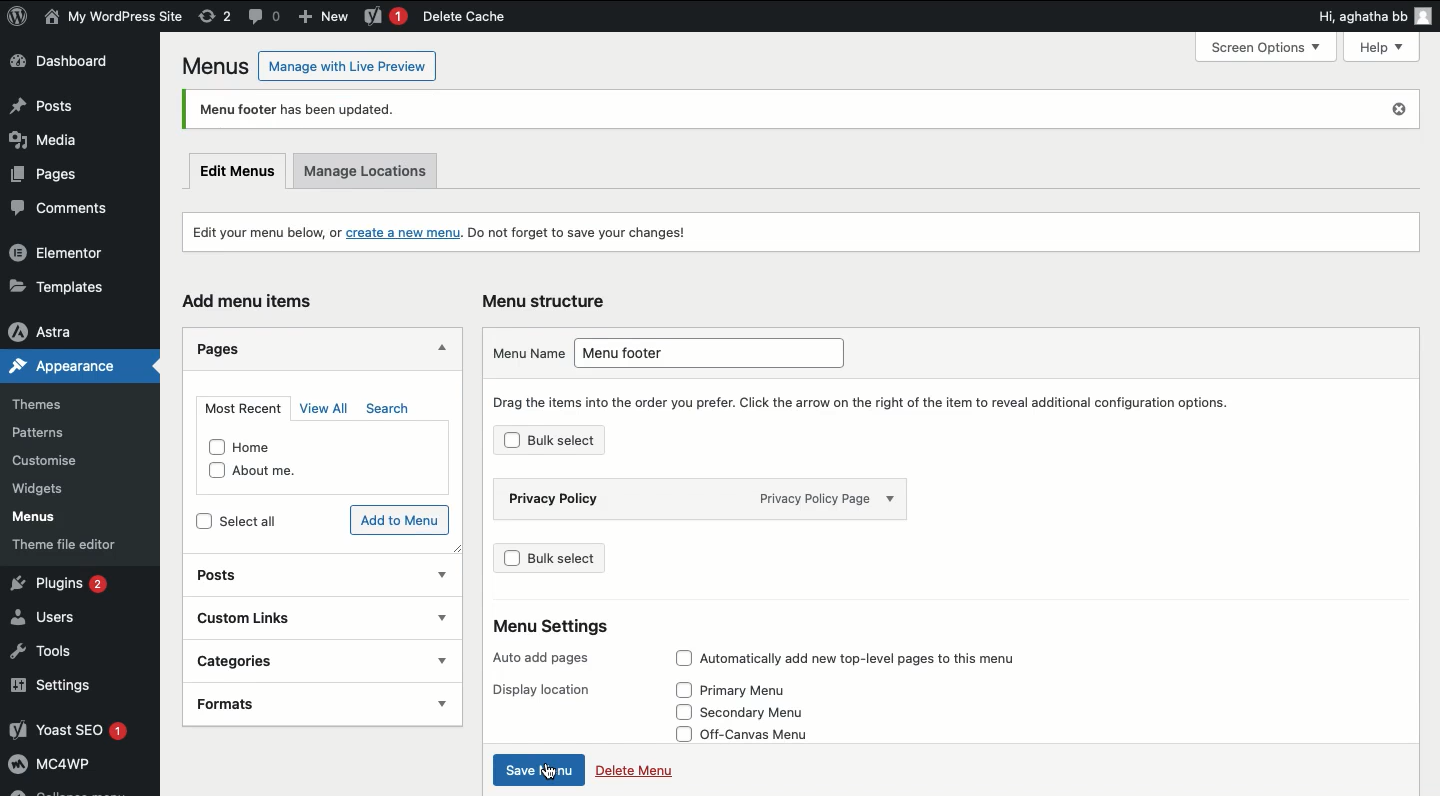 The width and height of the screenshot is (1440, 796). I want to click on  Off-Canvas Menu, so click(775, 735).